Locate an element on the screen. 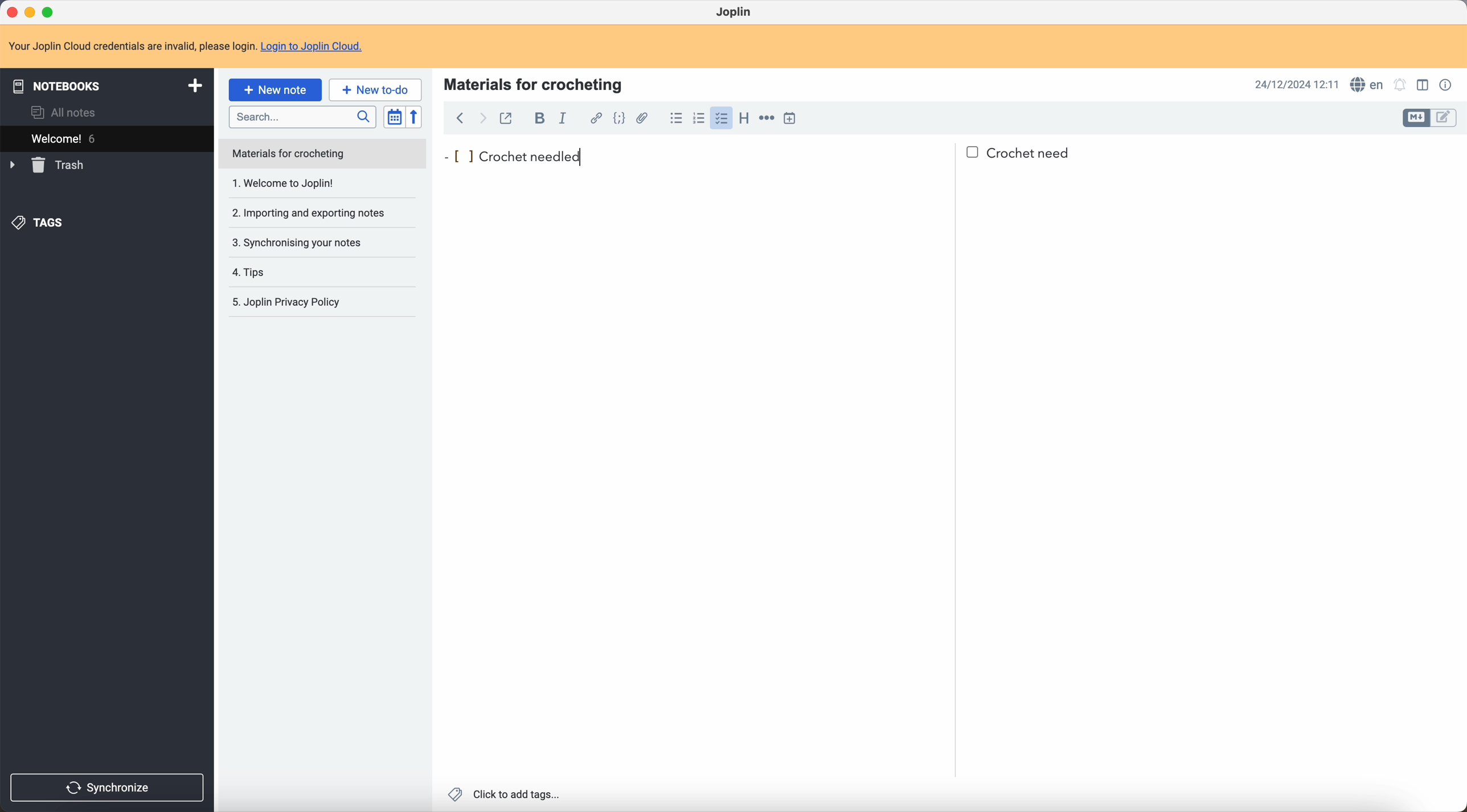  new to-do is located at coordinates (375, 89).